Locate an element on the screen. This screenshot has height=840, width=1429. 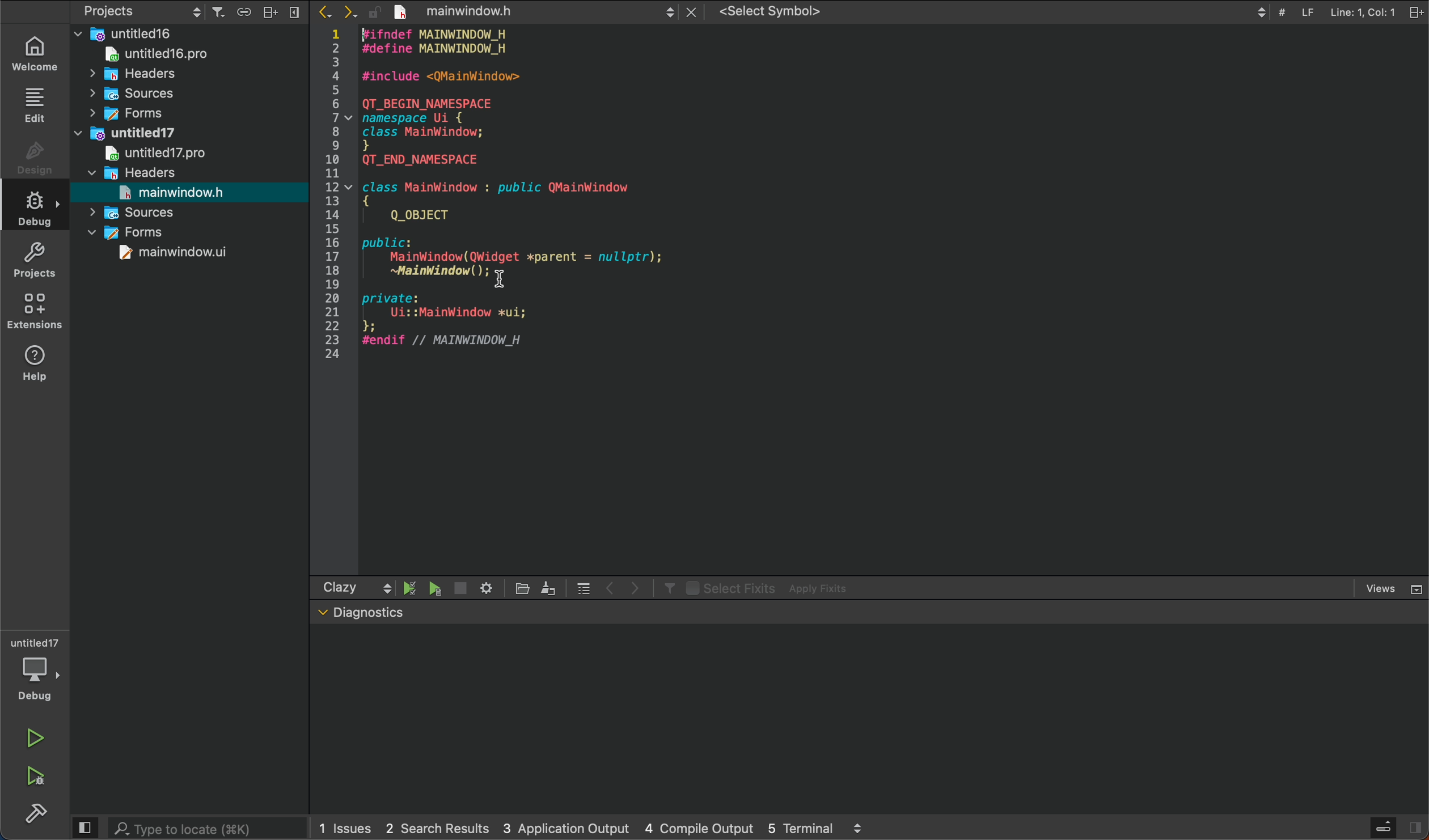
project settings is located at coordinates (143, 11).